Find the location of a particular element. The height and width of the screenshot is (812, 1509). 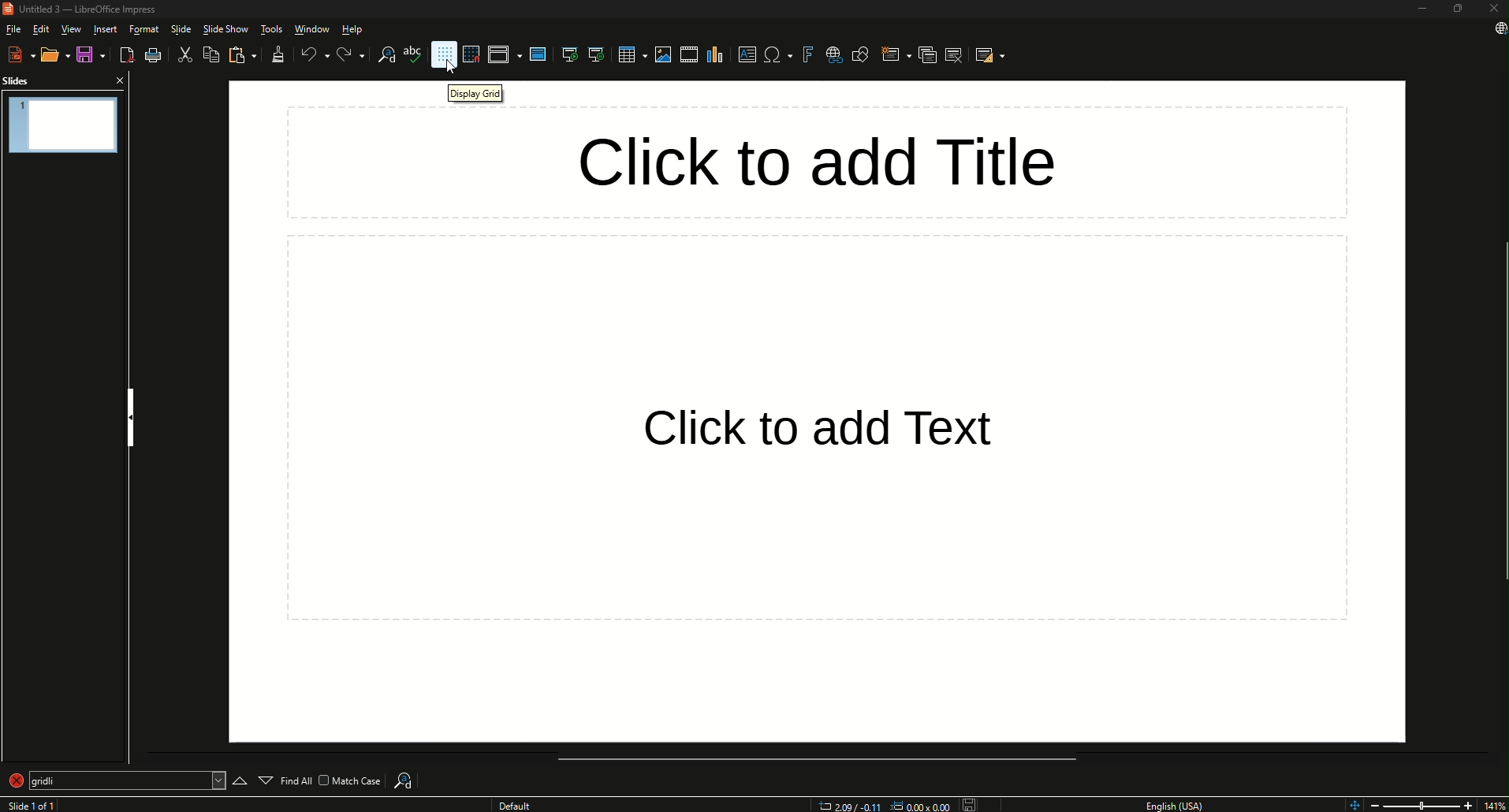

Insert image is located at coordinates (664, 54).